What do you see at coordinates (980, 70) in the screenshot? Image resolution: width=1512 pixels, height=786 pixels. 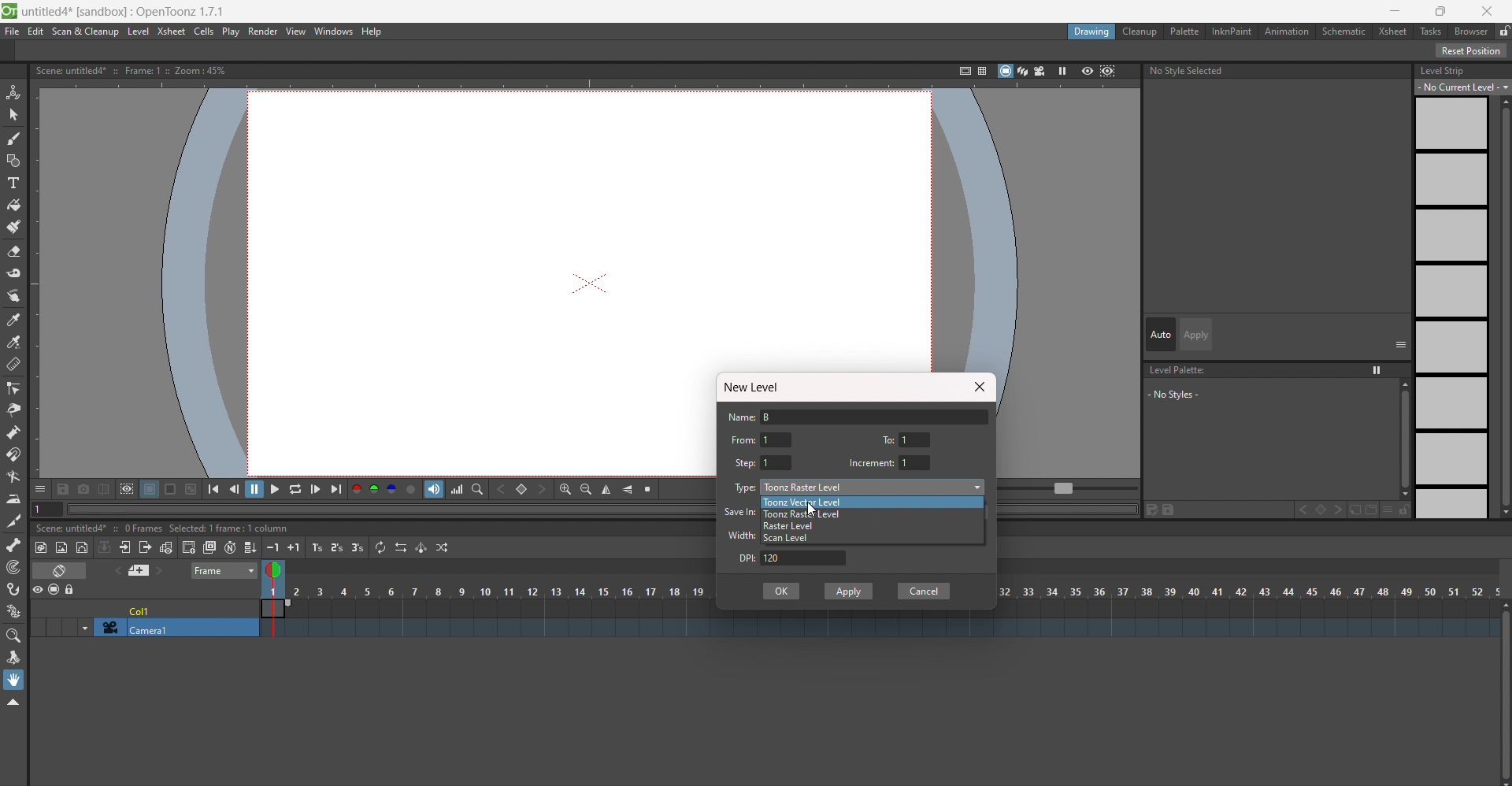 I see `field guide` at bounding box center [980, 70].